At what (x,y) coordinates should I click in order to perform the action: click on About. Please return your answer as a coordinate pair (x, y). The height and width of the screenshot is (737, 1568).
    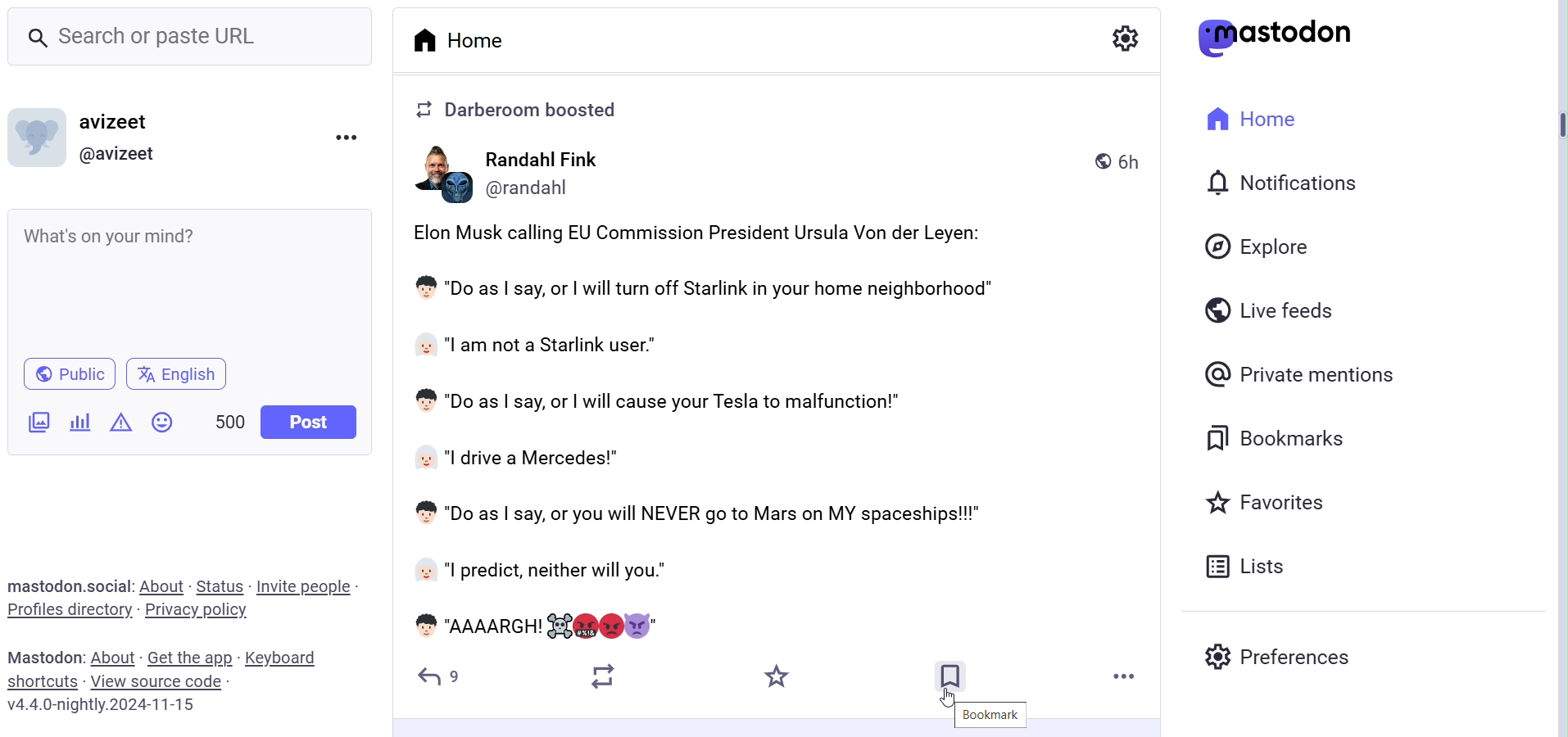
    Looking at the image, I should click on (161, 586).